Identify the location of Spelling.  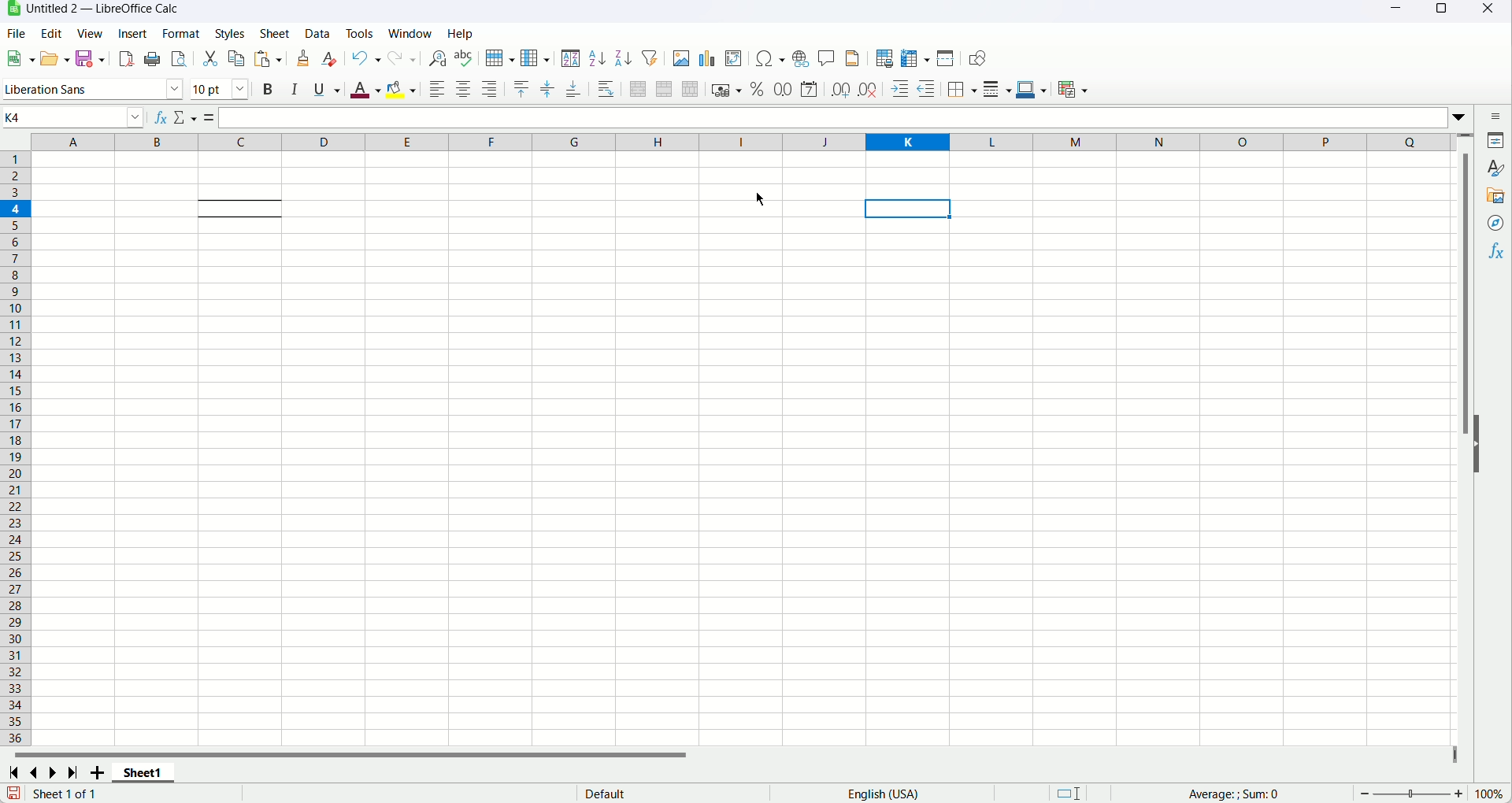
(464, 58).